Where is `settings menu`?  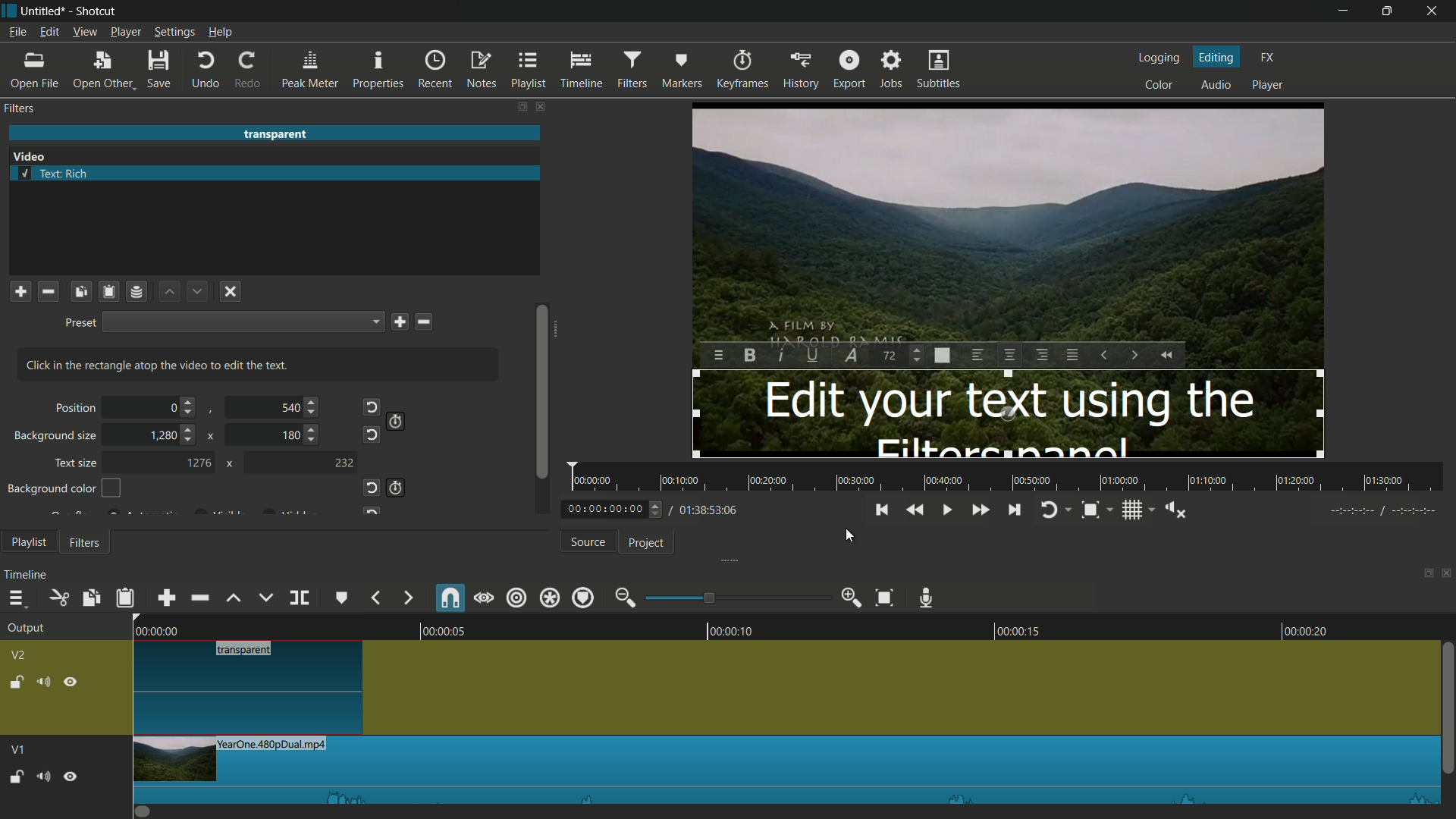 settings menu is located at coordinates (174, 32).